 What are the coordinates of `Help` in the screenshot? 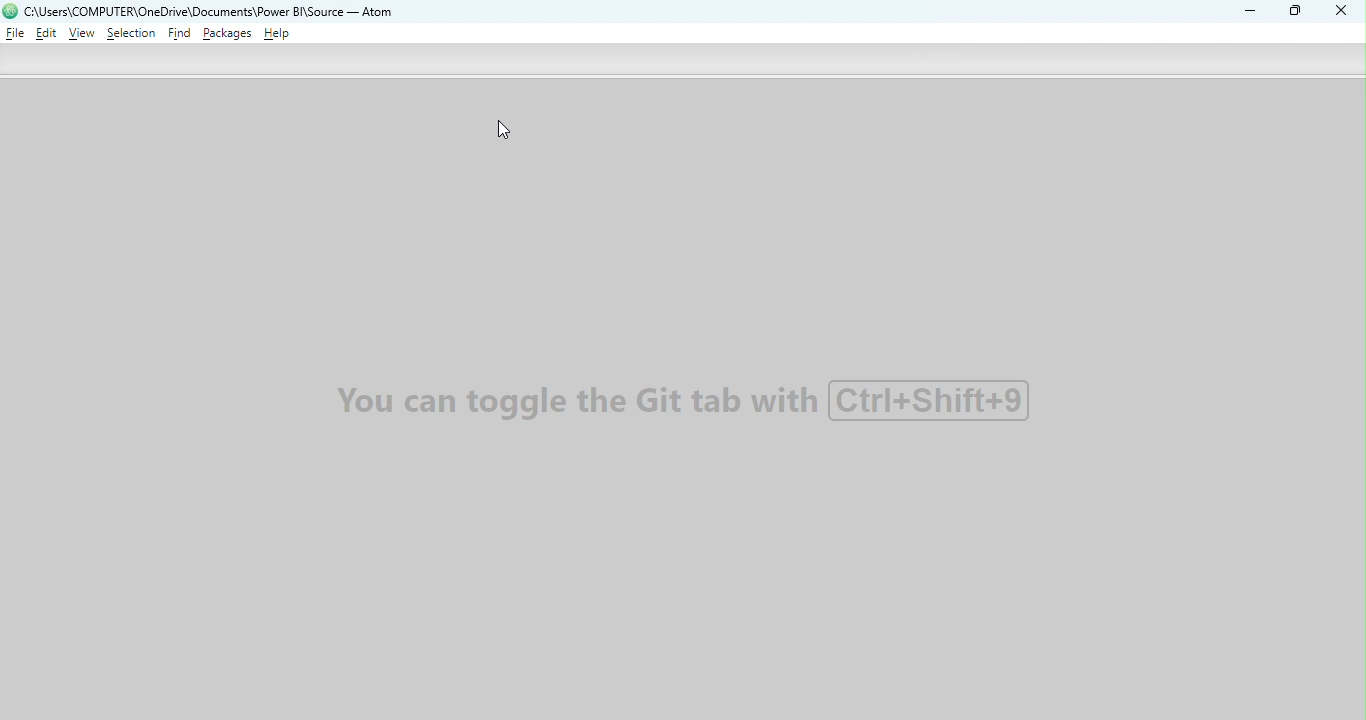 It's located at (278, 34).